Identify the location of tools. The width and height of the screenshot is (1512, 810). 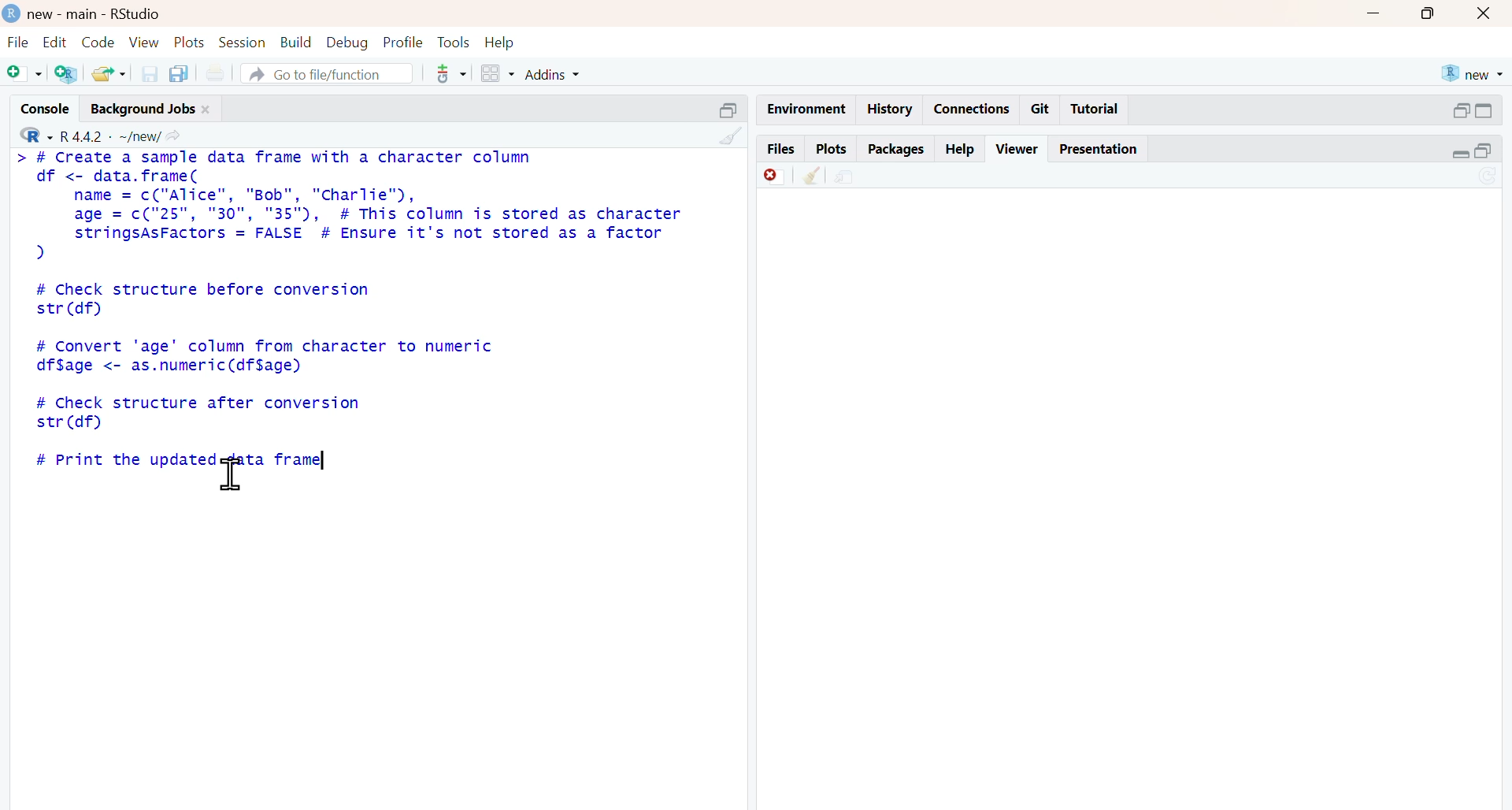
(453, 73).